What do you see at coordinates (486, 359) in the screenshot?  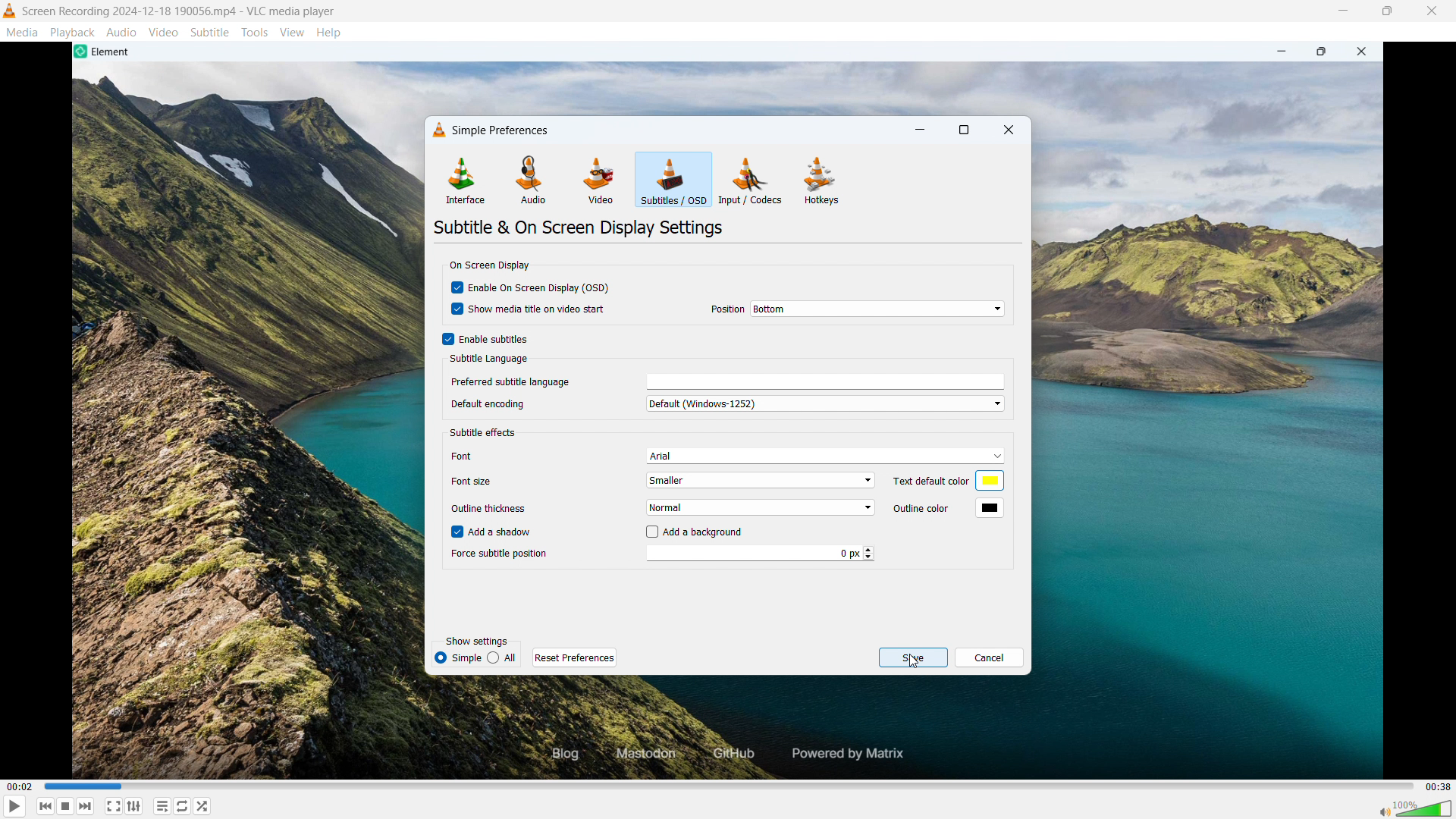 I see `Subtitle language ` at bounding box center [486, 359].